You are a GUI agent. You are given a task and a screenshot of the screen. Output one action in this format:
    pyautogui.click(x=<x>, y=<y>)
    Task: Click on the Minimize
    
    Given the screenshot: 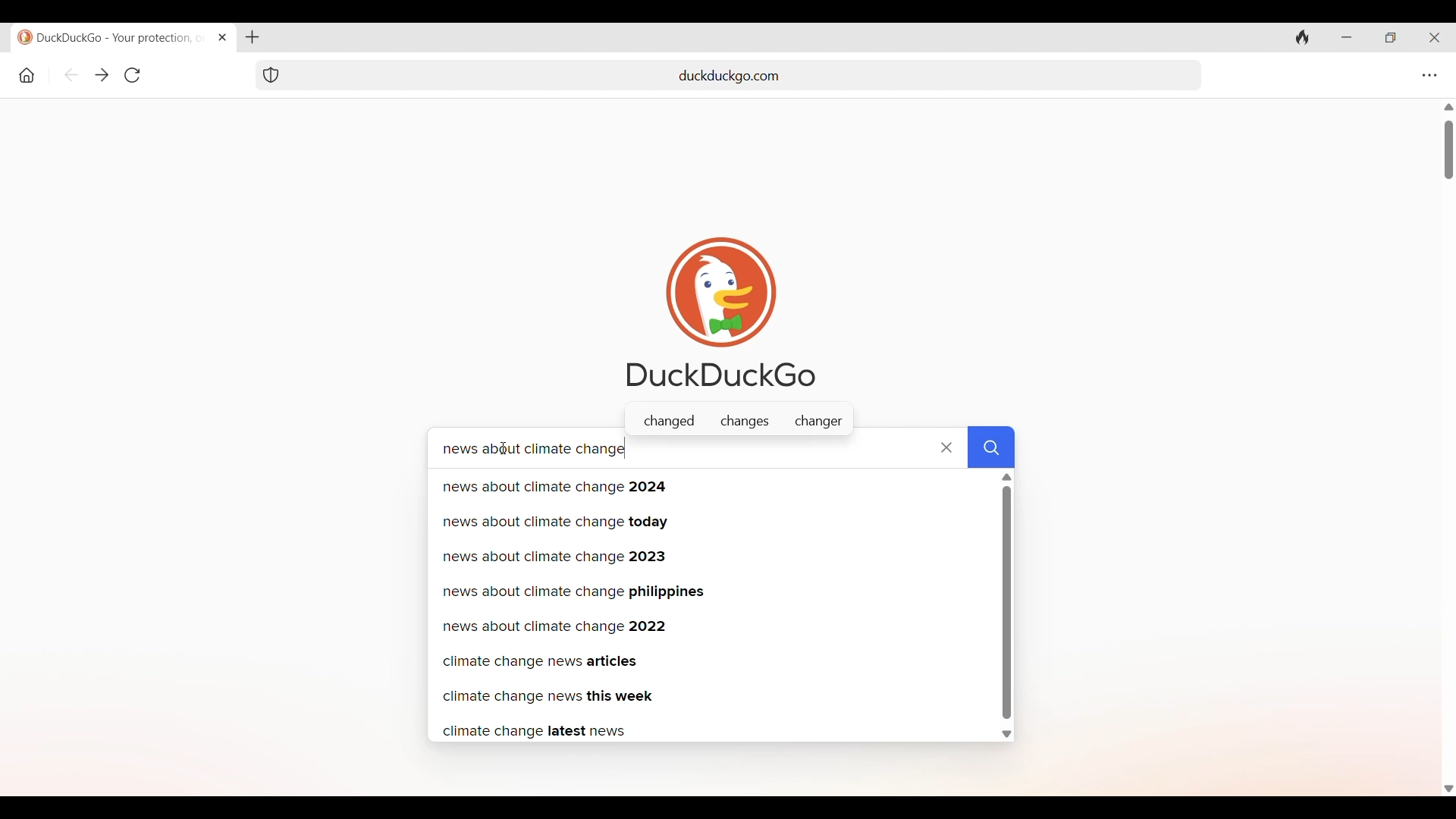 What is the action you would take?
    pyautogui.click(x=1346, y=38)
    